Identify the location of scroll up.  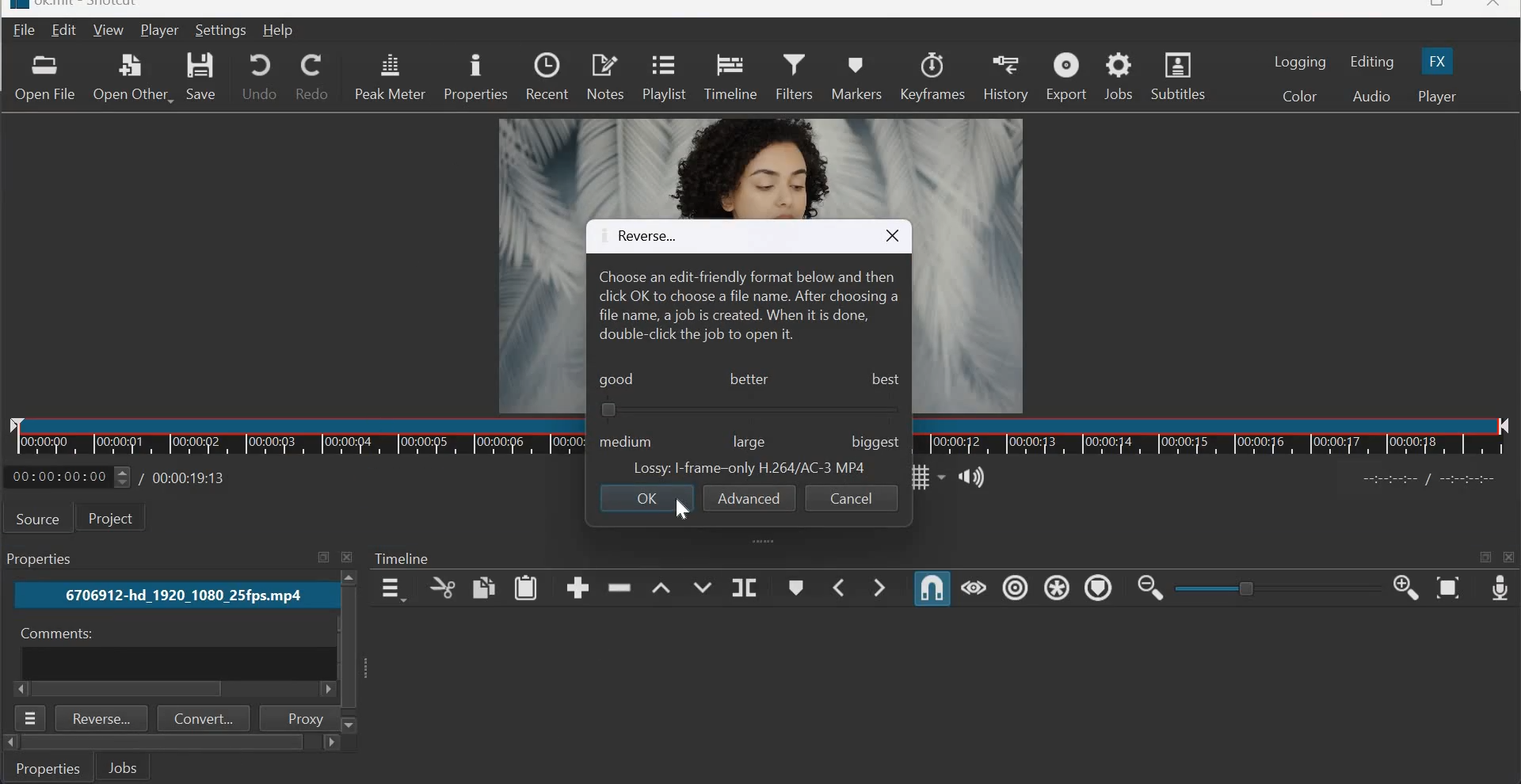
(349, 578).